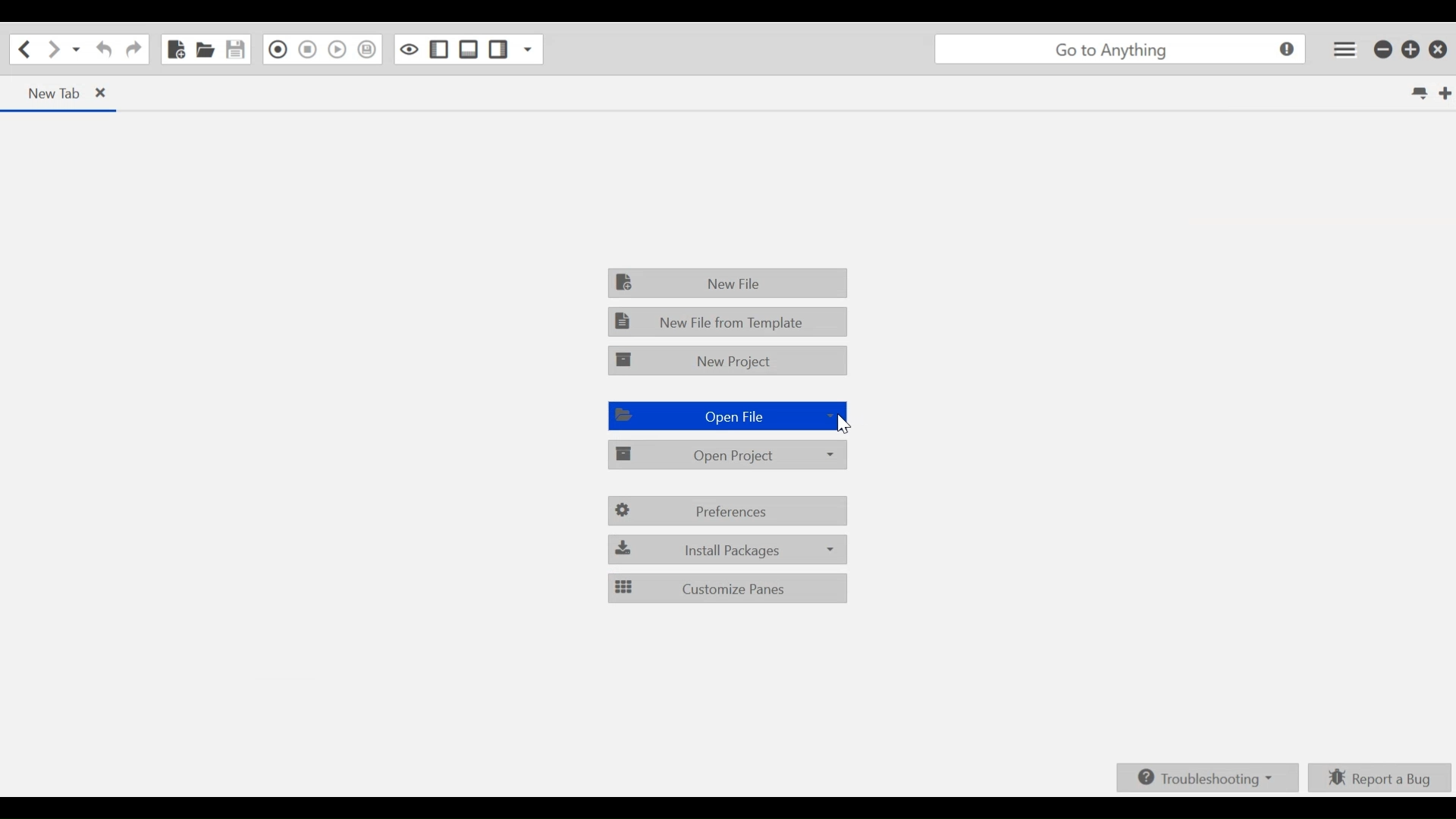  I want to click on Go Forward one location, so click(54, 49).